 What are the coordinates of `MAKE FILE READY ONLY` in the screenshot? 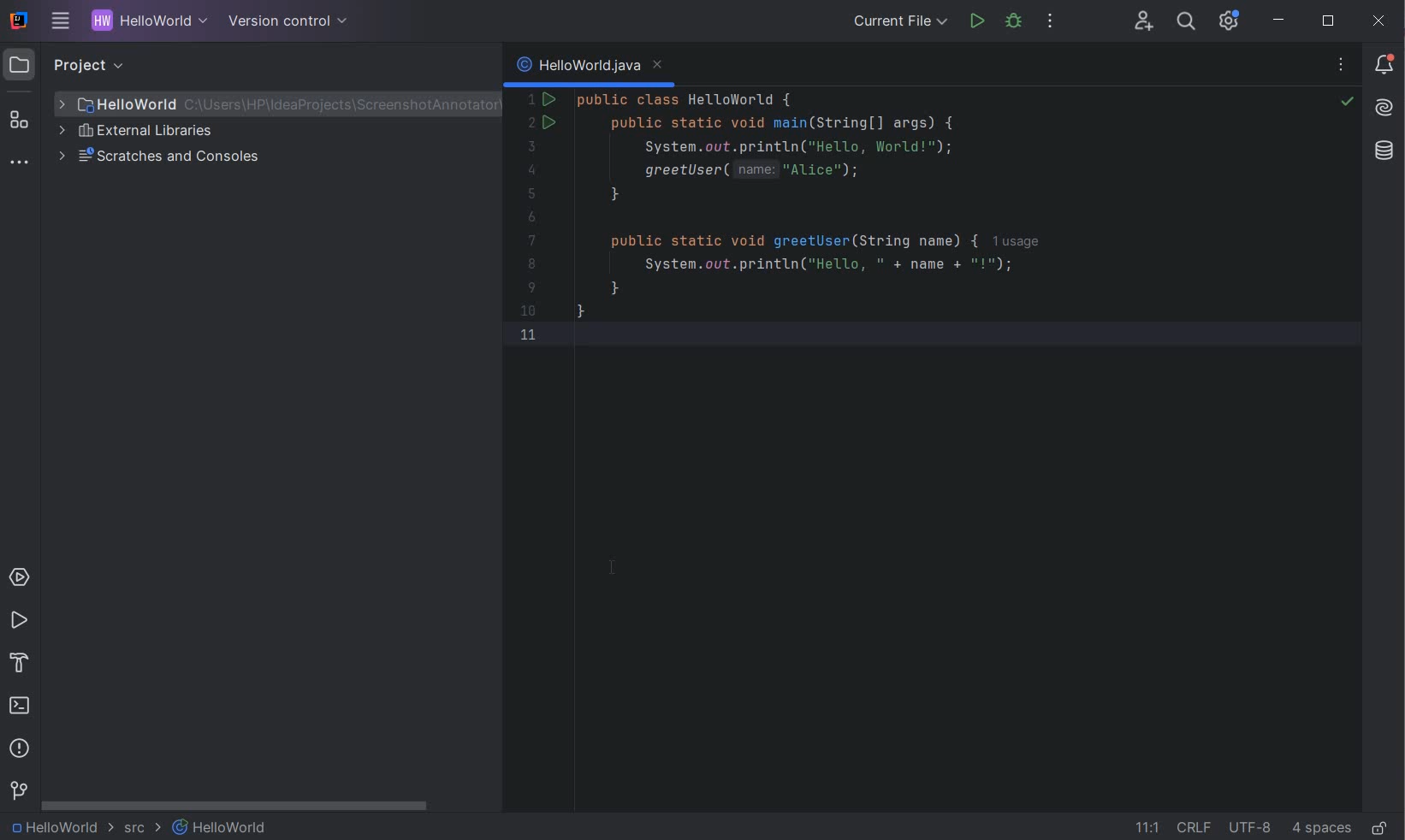 It's located at (1379, 829).